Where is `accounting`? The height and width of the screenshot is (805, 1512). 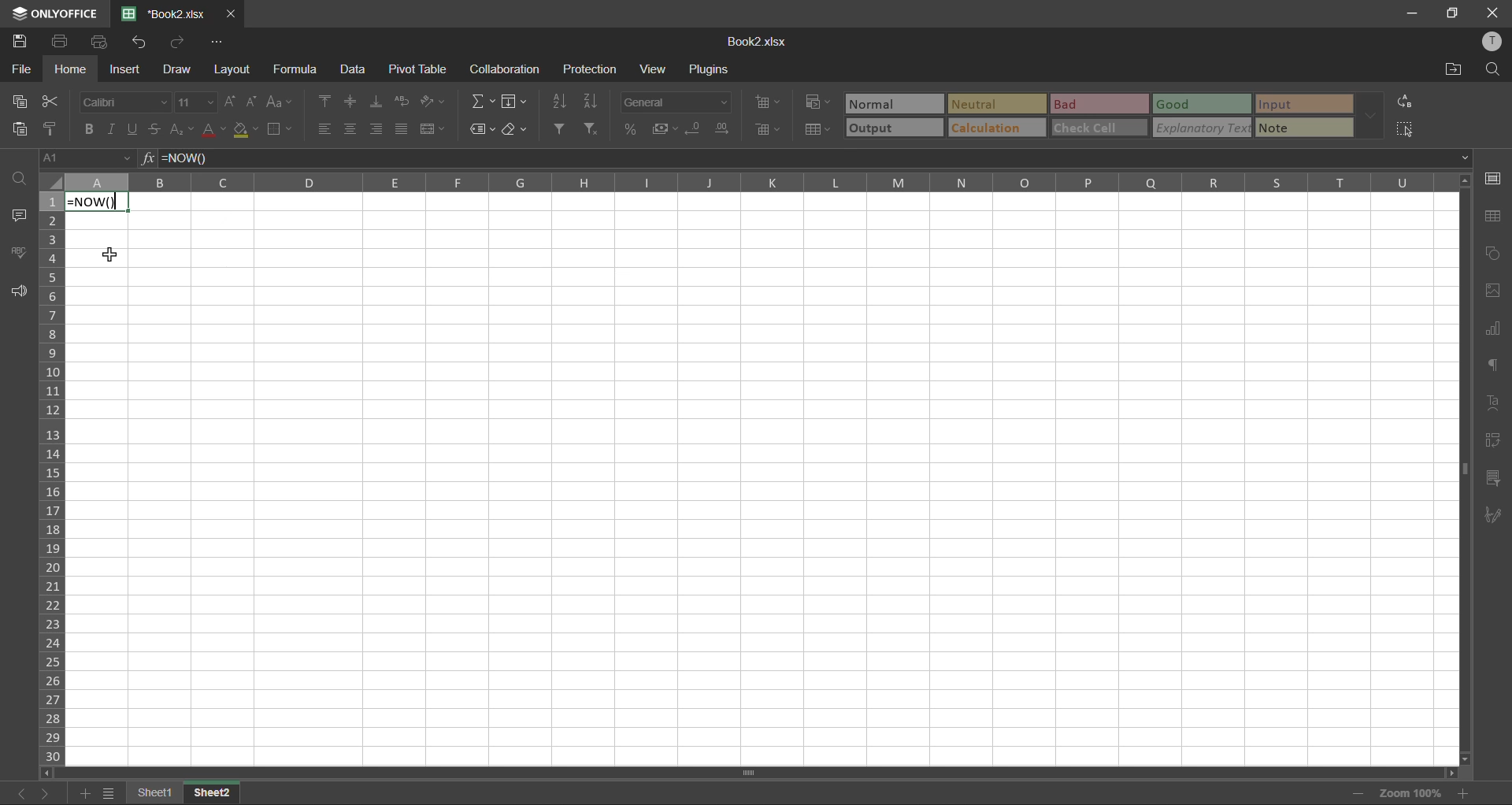
accounting is located at coordinates (668, 129).